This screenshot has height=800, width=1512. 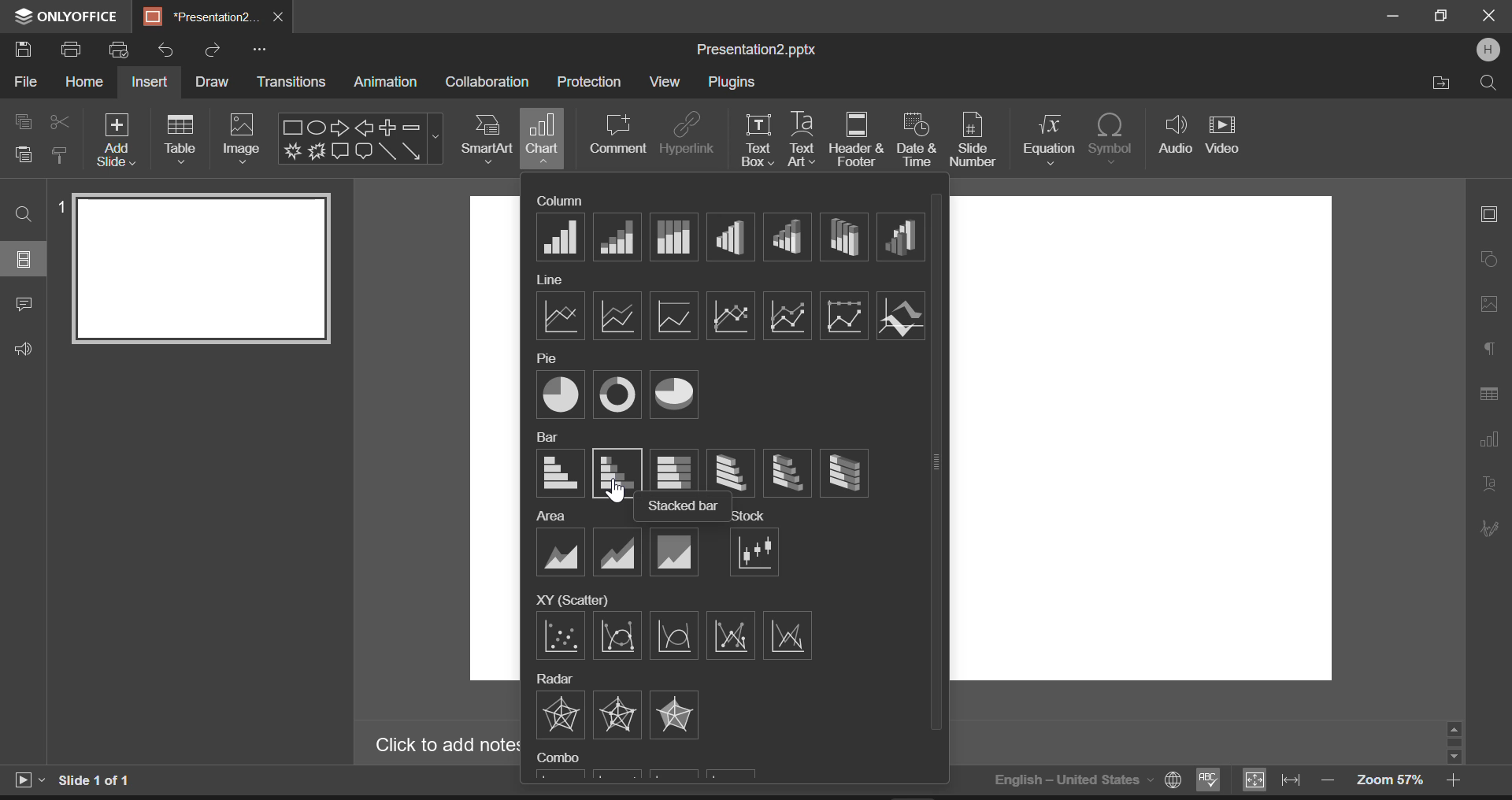 I want to click on Quick print, so click(x=120, y=51).